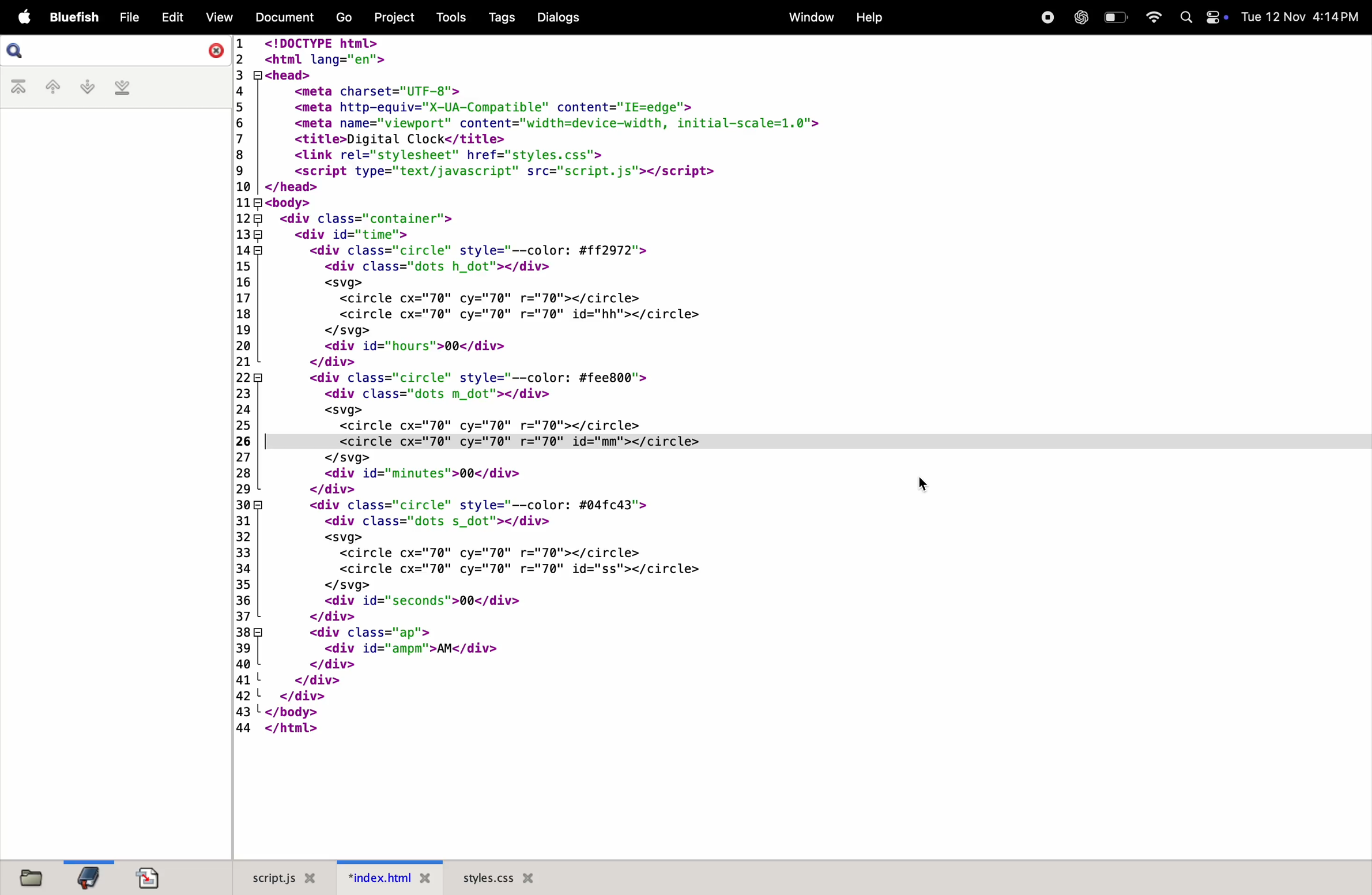 Image resolution: width=1372 pixels, height=895 pixels. I want to click on file, so click(125, 18).